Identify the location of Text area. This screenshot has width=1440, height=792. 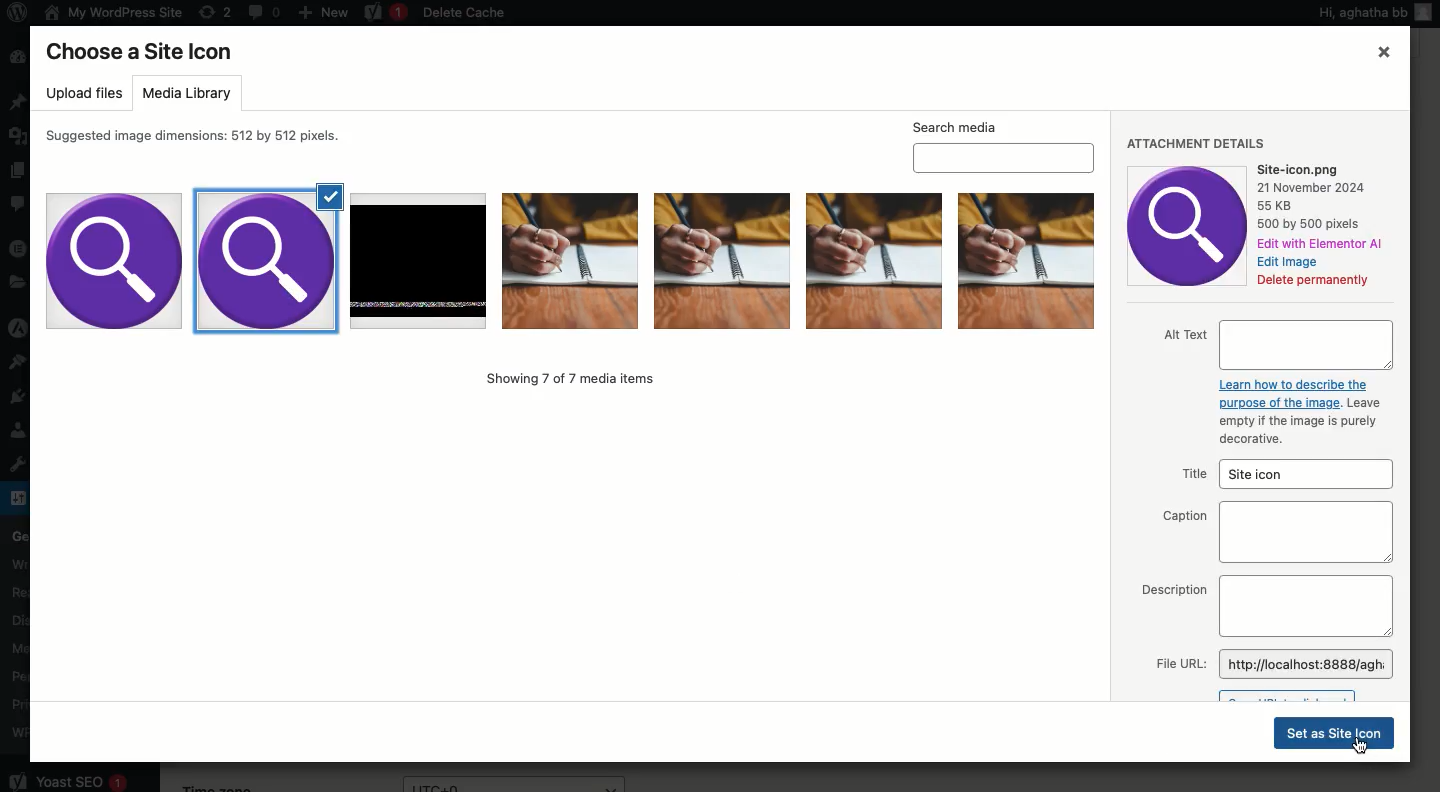
(1310, 604).